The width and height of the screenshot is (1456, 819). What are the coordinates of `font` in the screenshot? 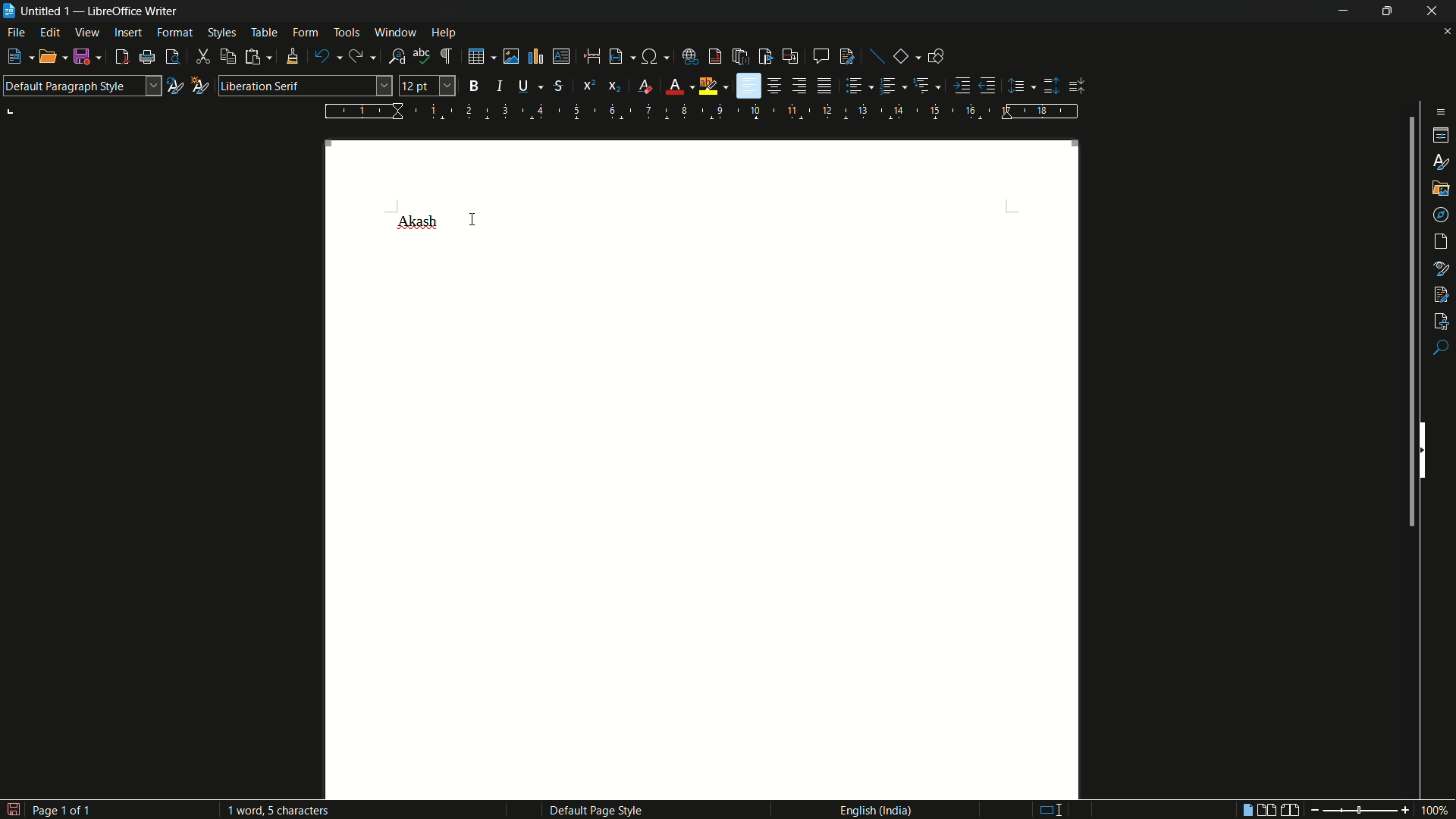 It's located at (419, 223).